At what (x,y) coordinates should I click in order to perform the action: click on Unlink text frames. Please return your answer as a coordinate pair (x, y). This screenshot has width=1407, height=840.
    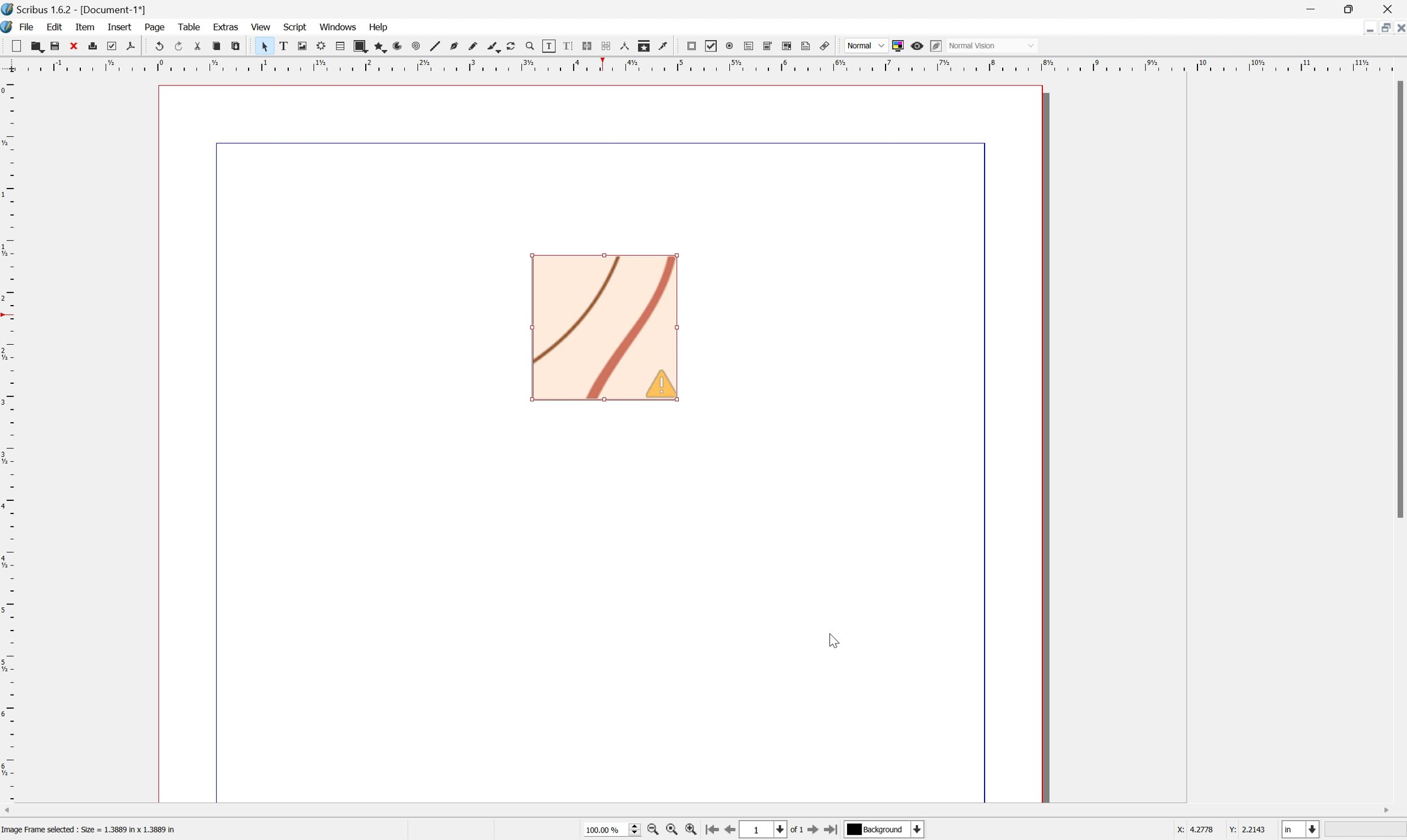
    Looking at the image, I should click on (608, 46).